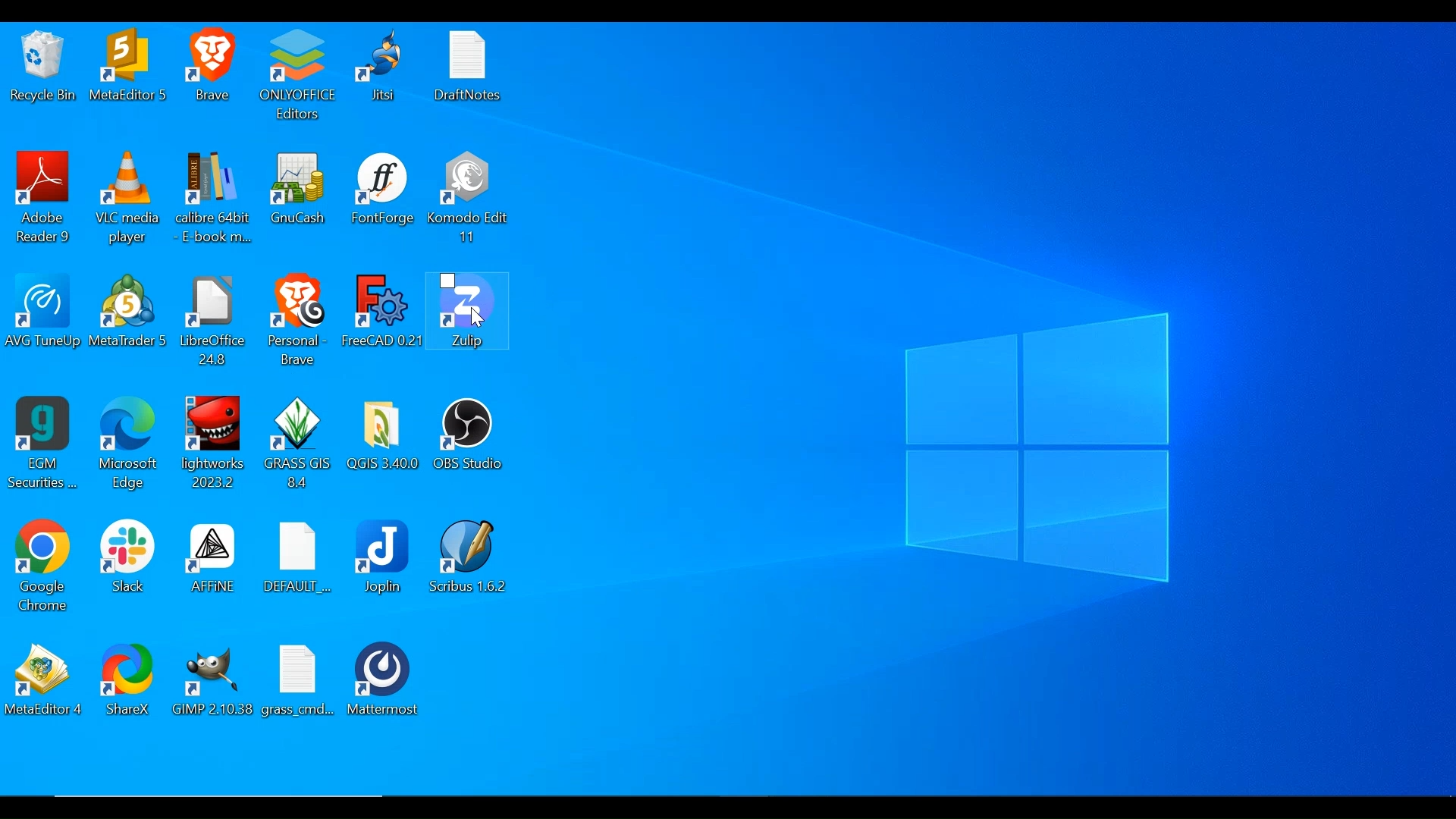 The image size is (1456, 819). I want to click on File, so click(301, 682).